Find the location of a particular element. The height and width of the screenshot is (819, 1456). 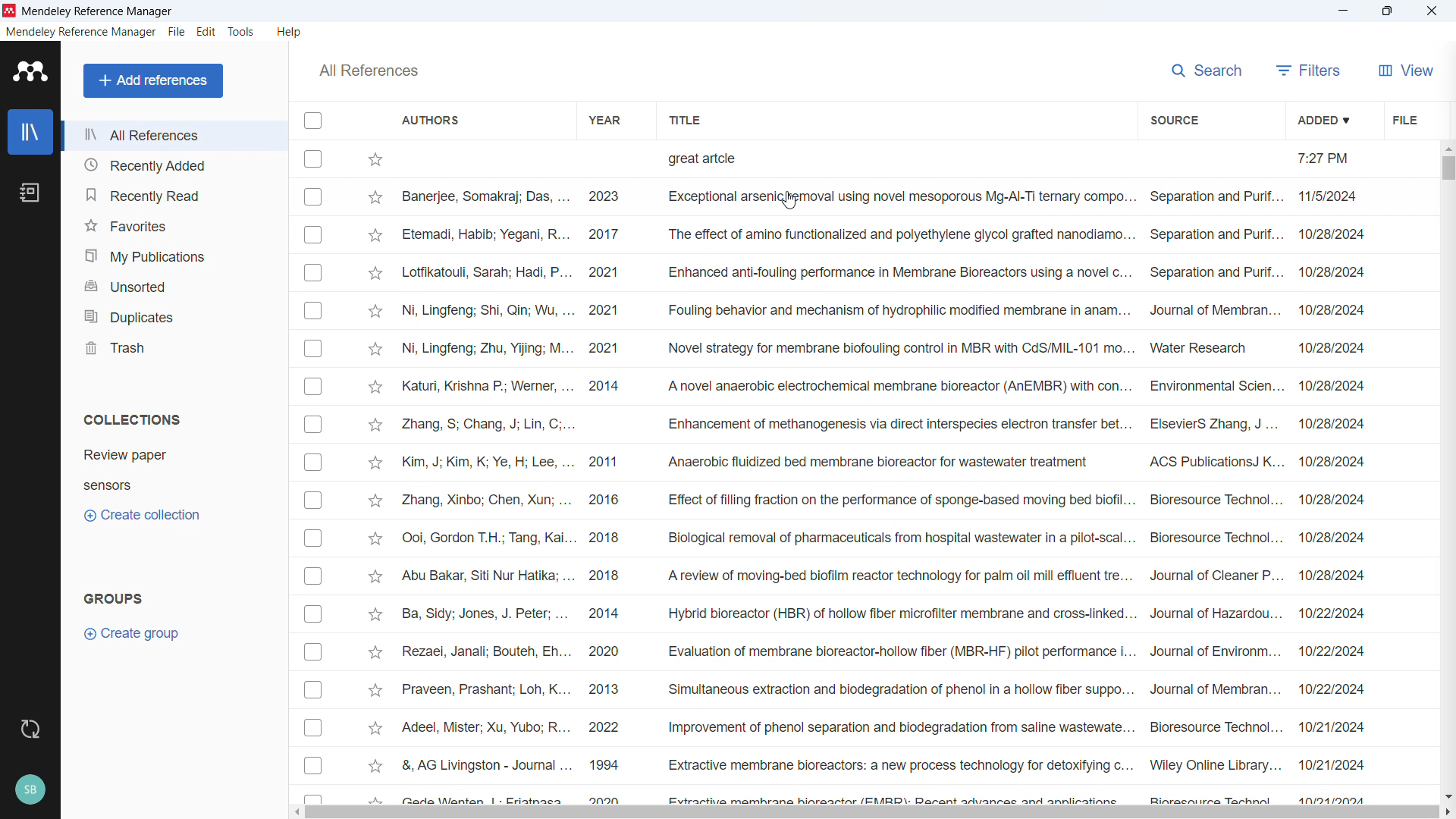

filters is located at coordinates (1305, 71).